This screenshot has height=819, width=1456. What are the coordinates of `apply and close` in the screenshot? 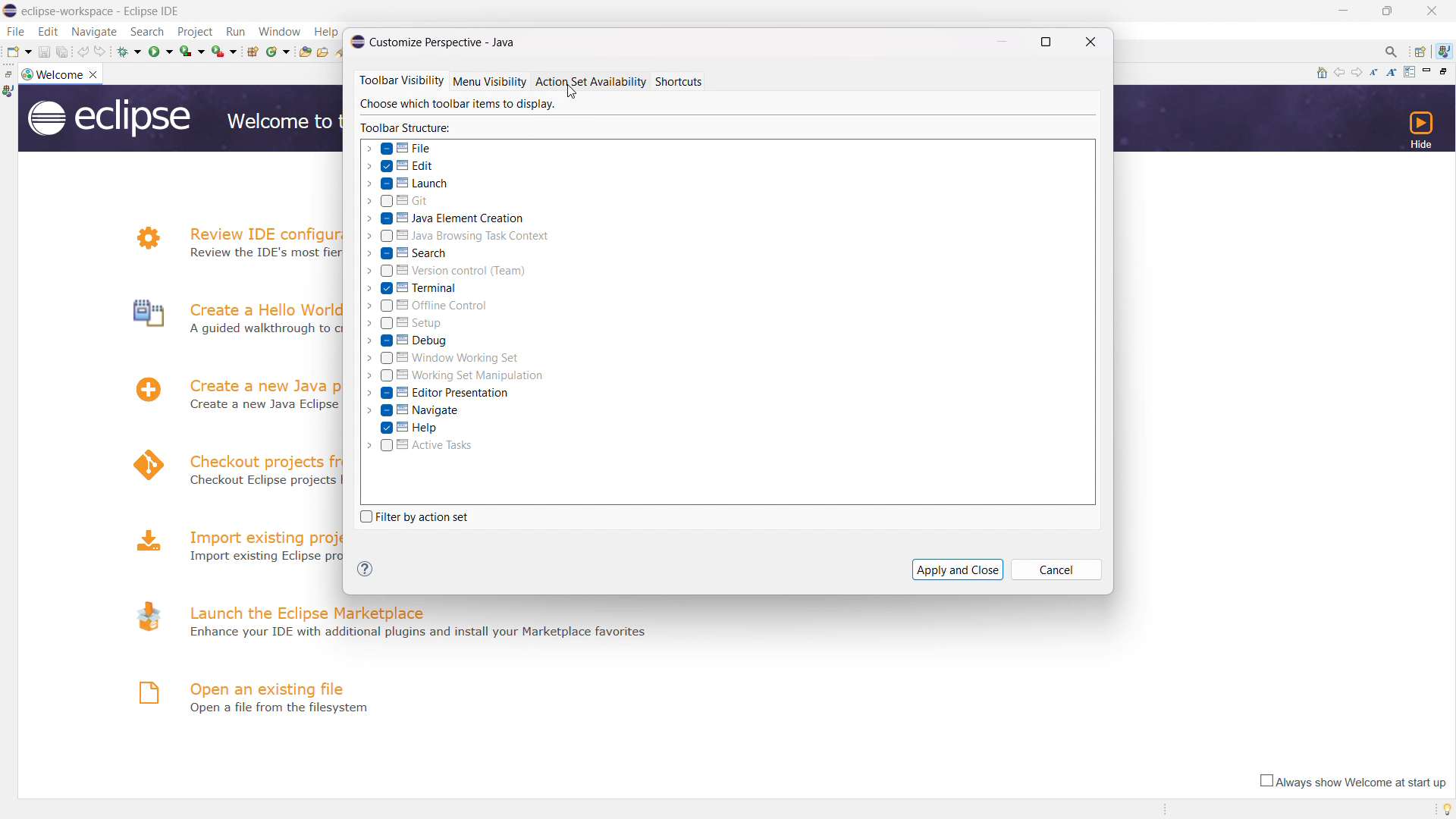 It's located at (959, 570).